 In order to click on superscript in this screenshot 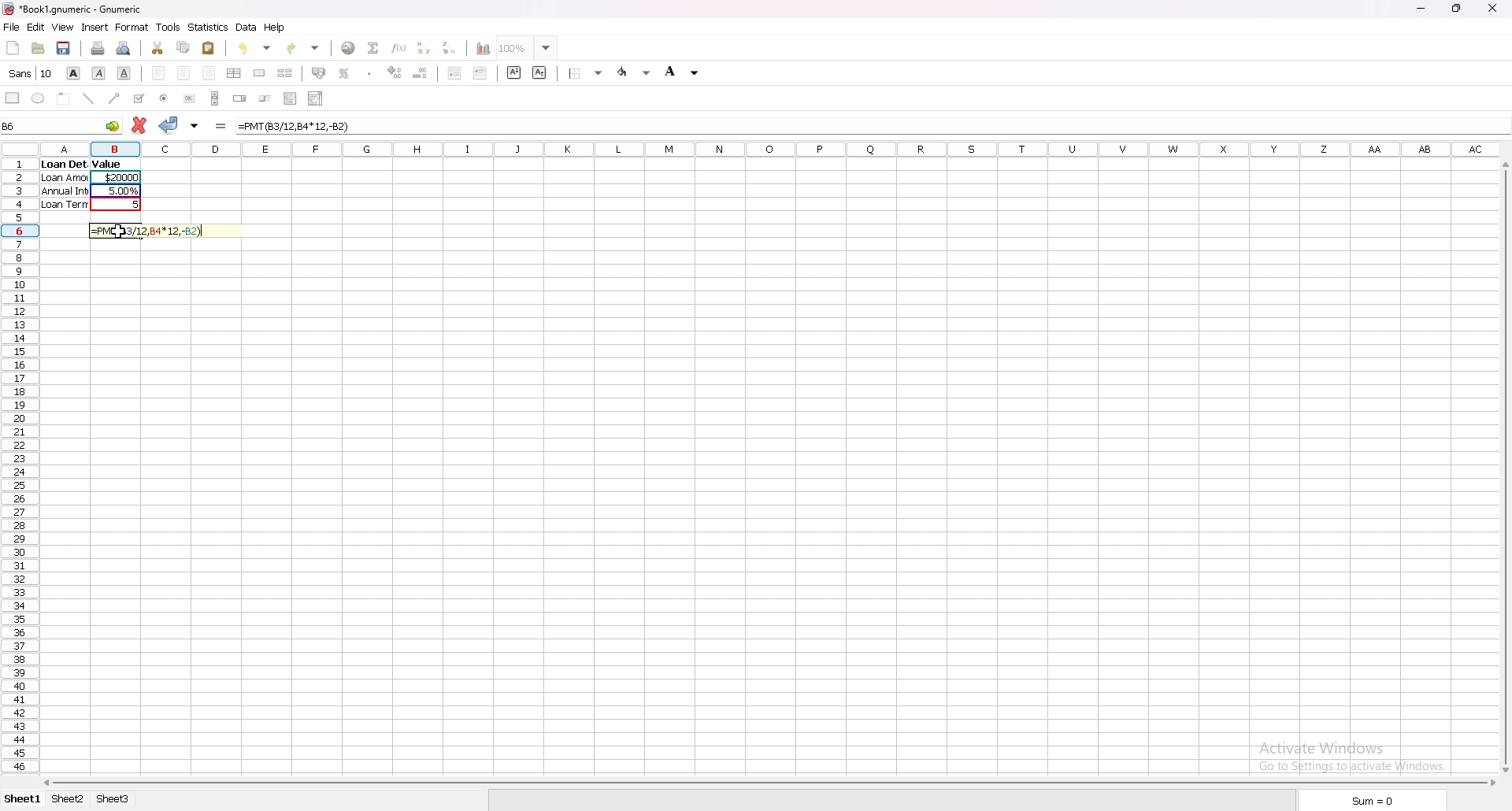, I will do `click(513, 72)`.